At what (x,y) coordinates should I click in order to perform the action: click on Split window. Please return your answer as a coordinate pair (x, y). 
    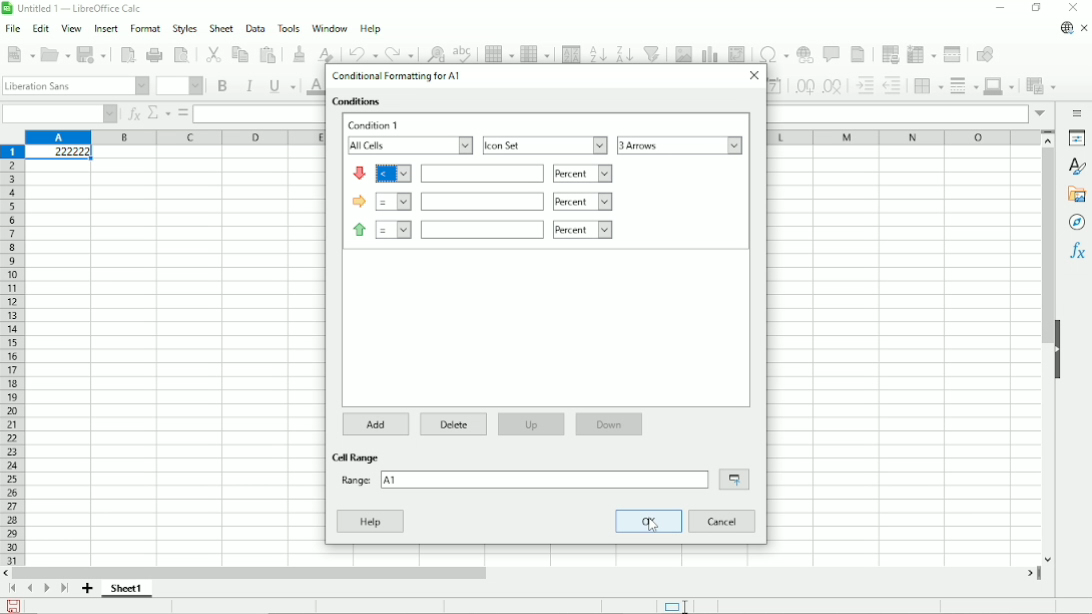
    Looking at the image, I should click on (953, 53).